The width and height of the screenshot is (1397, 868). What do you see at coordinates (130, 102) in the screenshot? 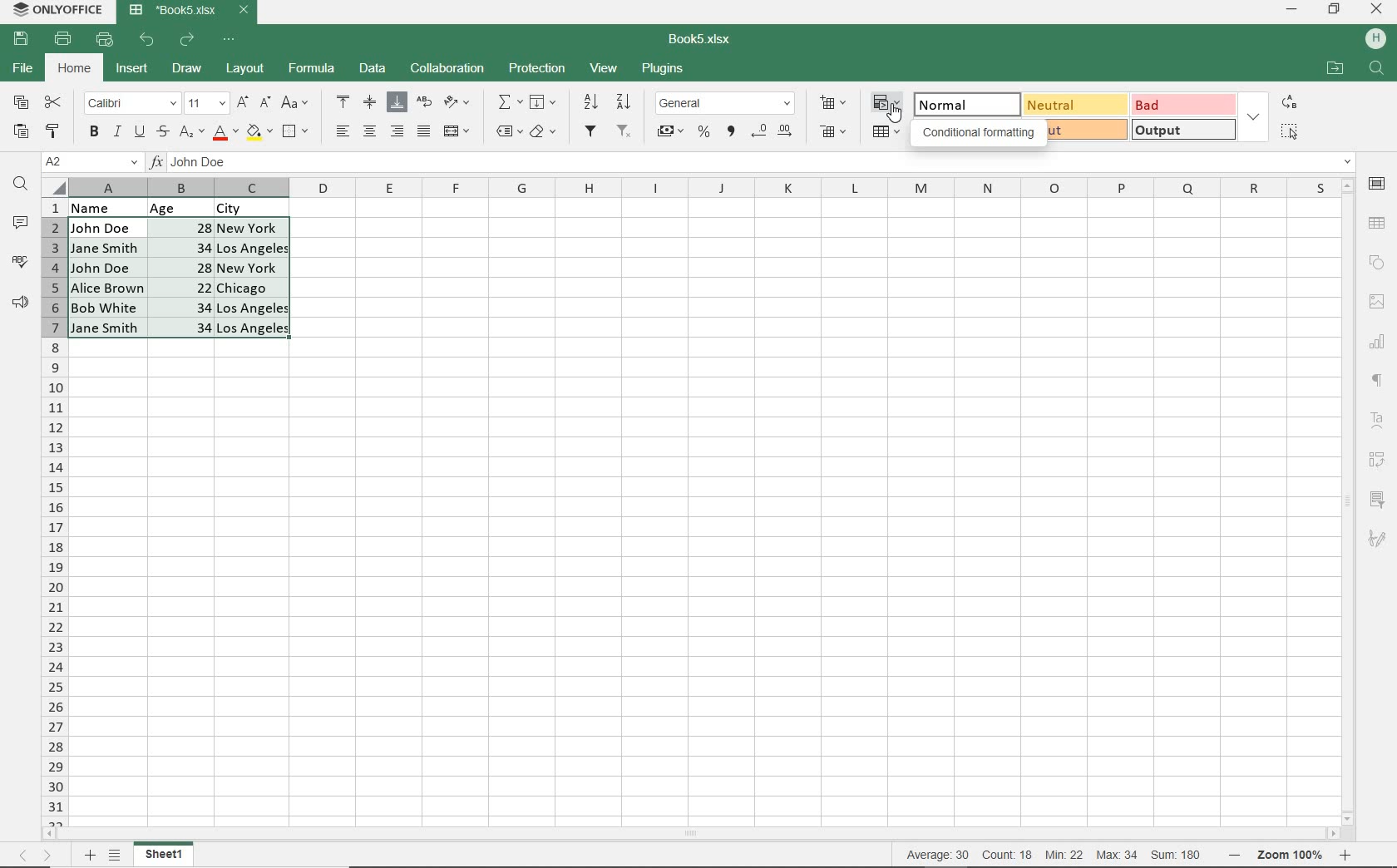
I see `FONT` at bounding box center [130, 102].